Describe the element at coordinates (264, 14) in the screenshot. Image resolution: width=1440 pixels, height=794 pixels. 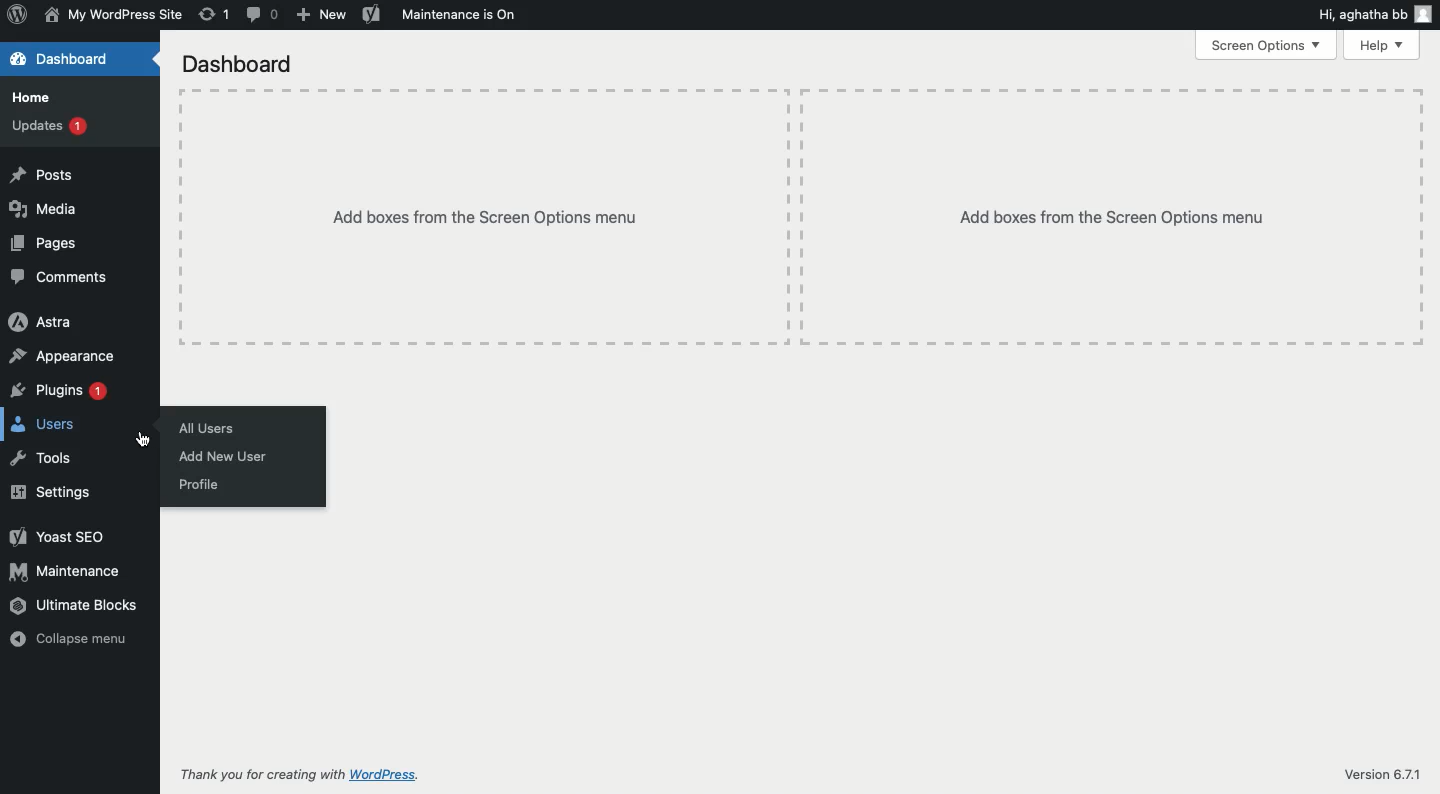
I see `Comment` at that location.